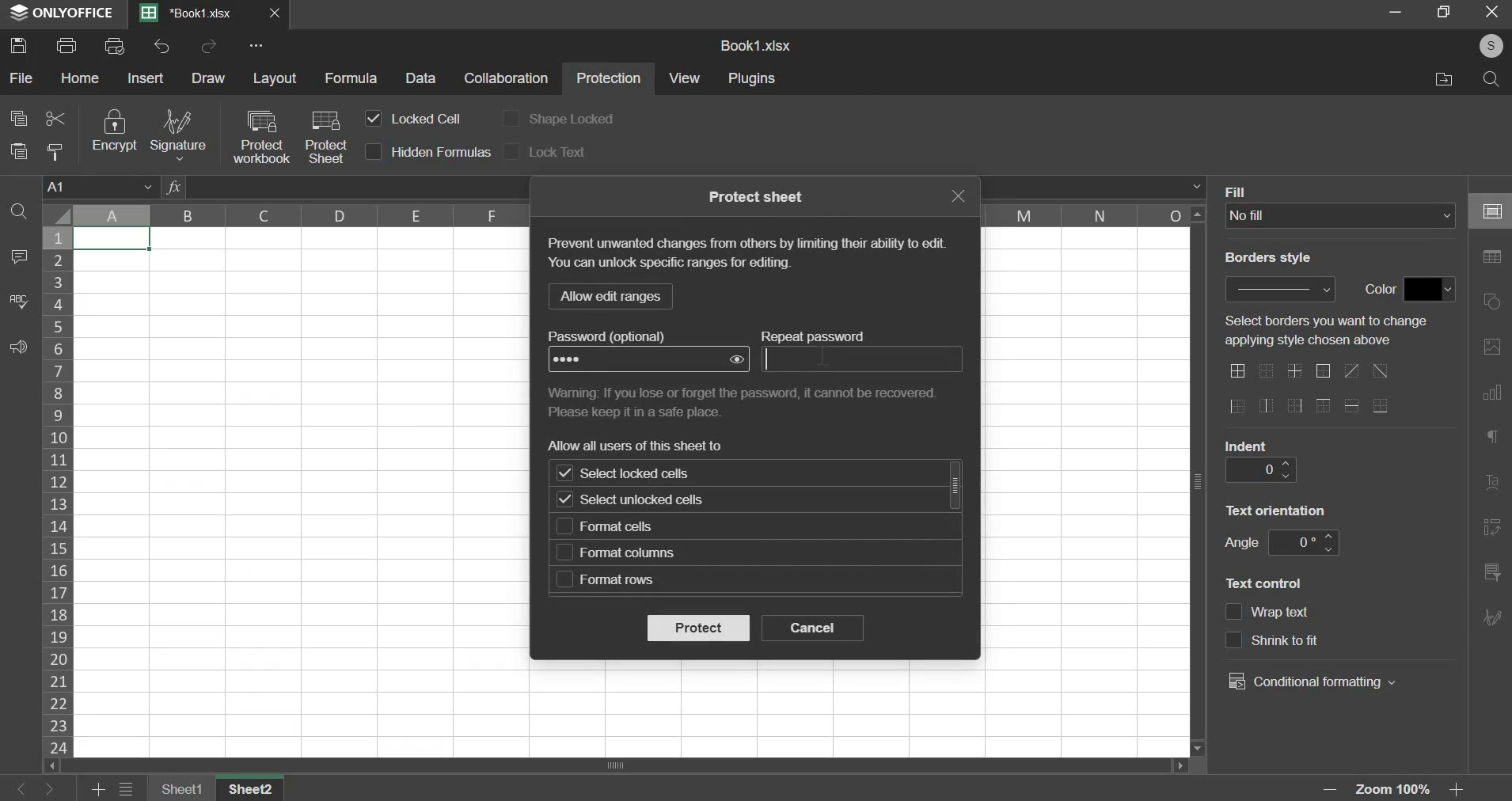 Image resolution: width=1512 pixels, height=801 pixels. I want to click on password, so click(635, 359).